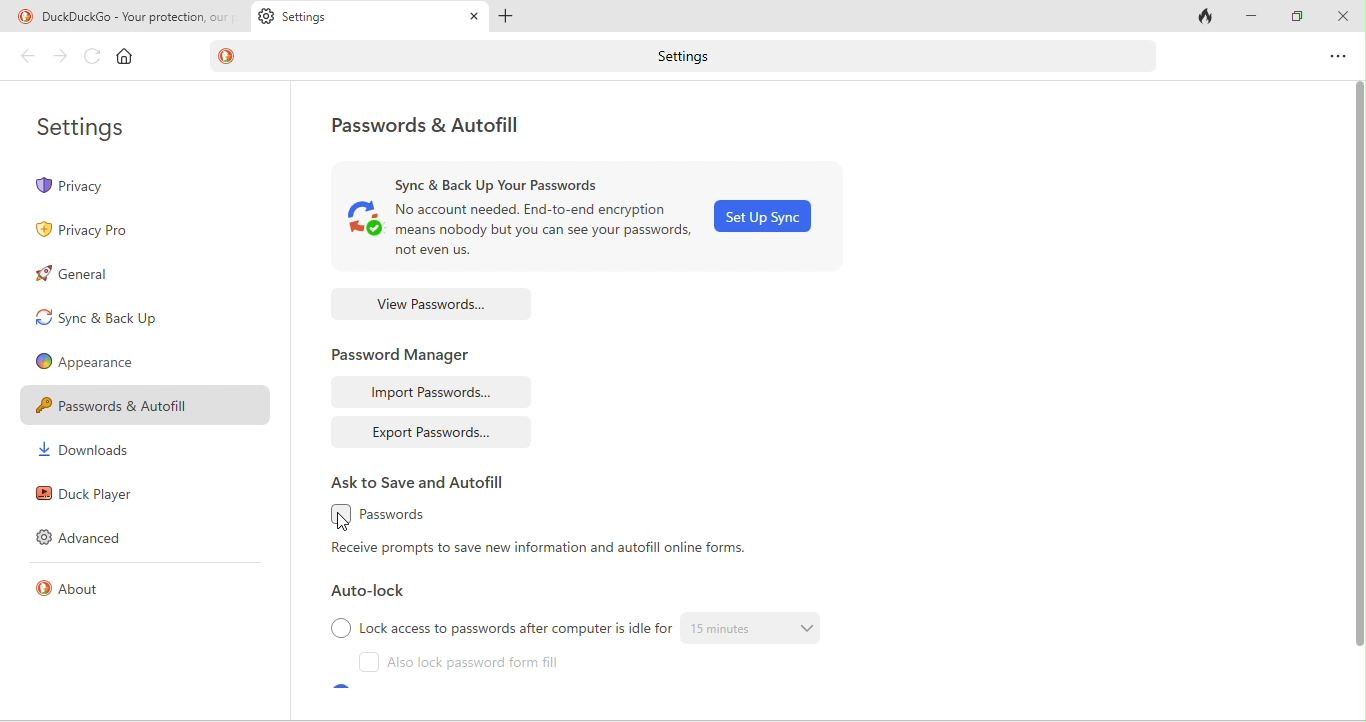  I want to click on checkbox, so click(339, 628).